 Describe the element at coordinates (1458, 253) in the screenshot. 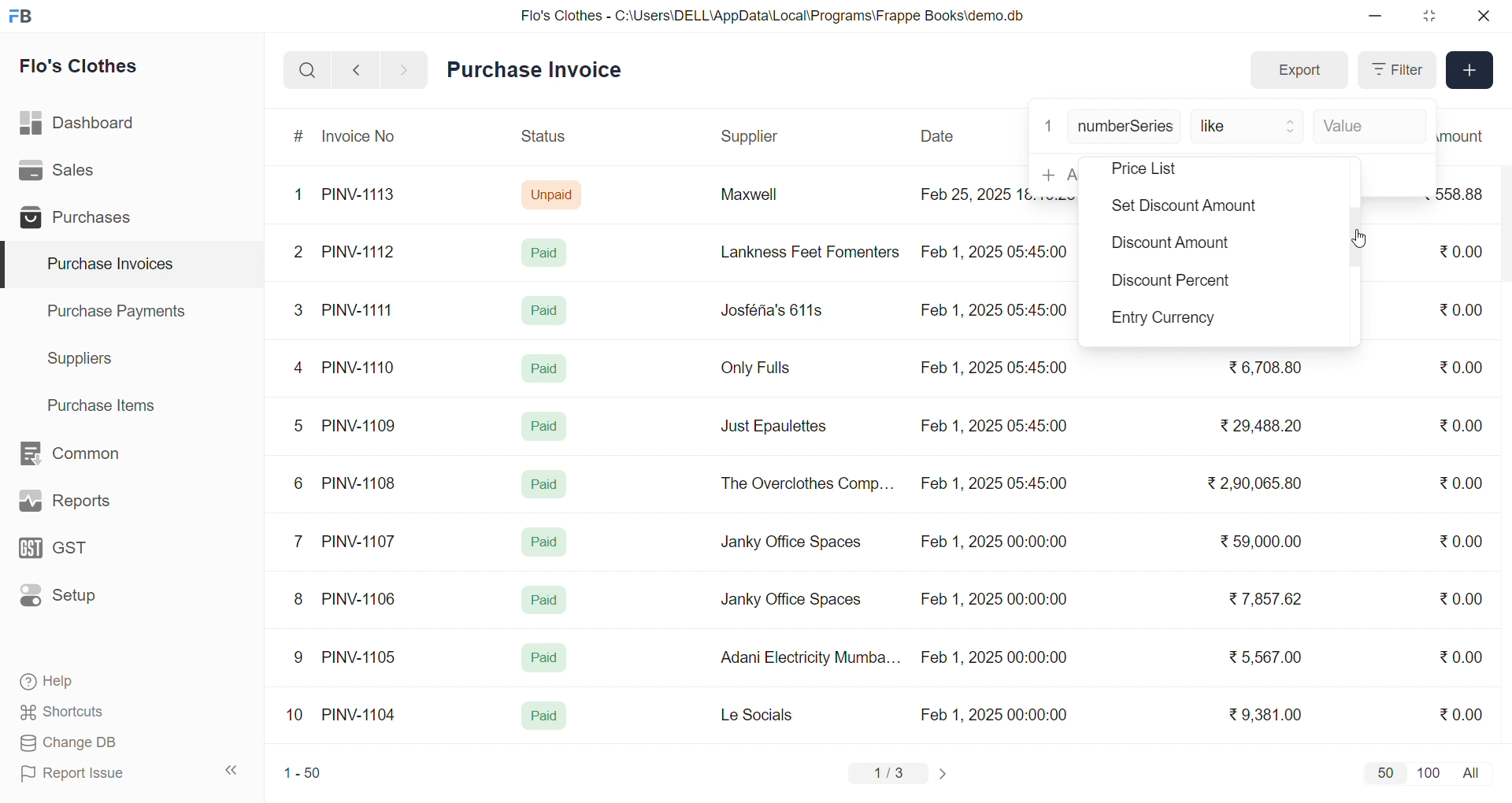

I see `₹0.00` at that location.